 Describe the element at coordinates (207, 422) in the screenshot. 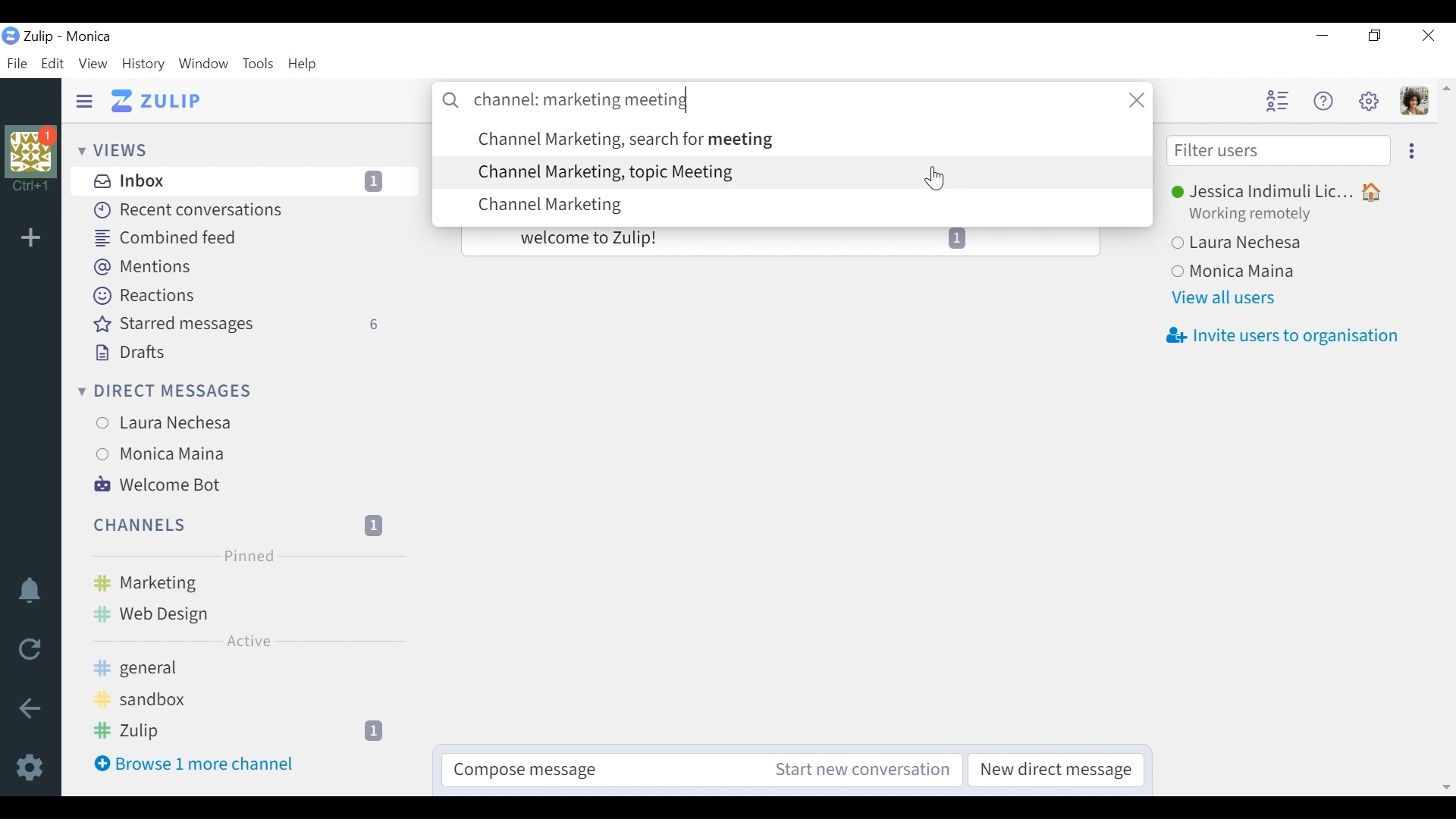

I see `Laura Nechesa` at that location.